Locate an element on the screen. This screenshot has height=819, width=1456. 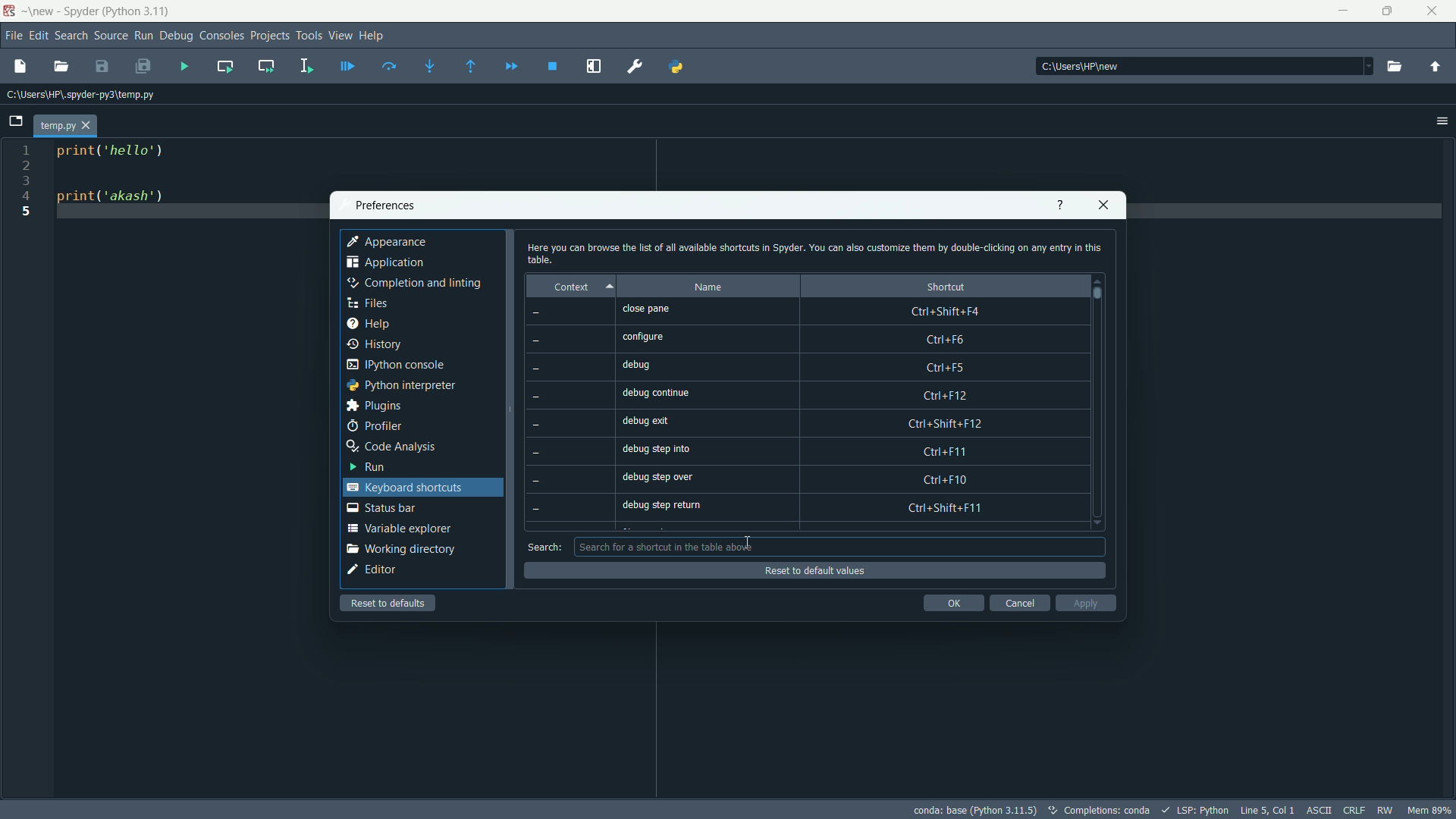
working directory is located at coordinates (400, 549).